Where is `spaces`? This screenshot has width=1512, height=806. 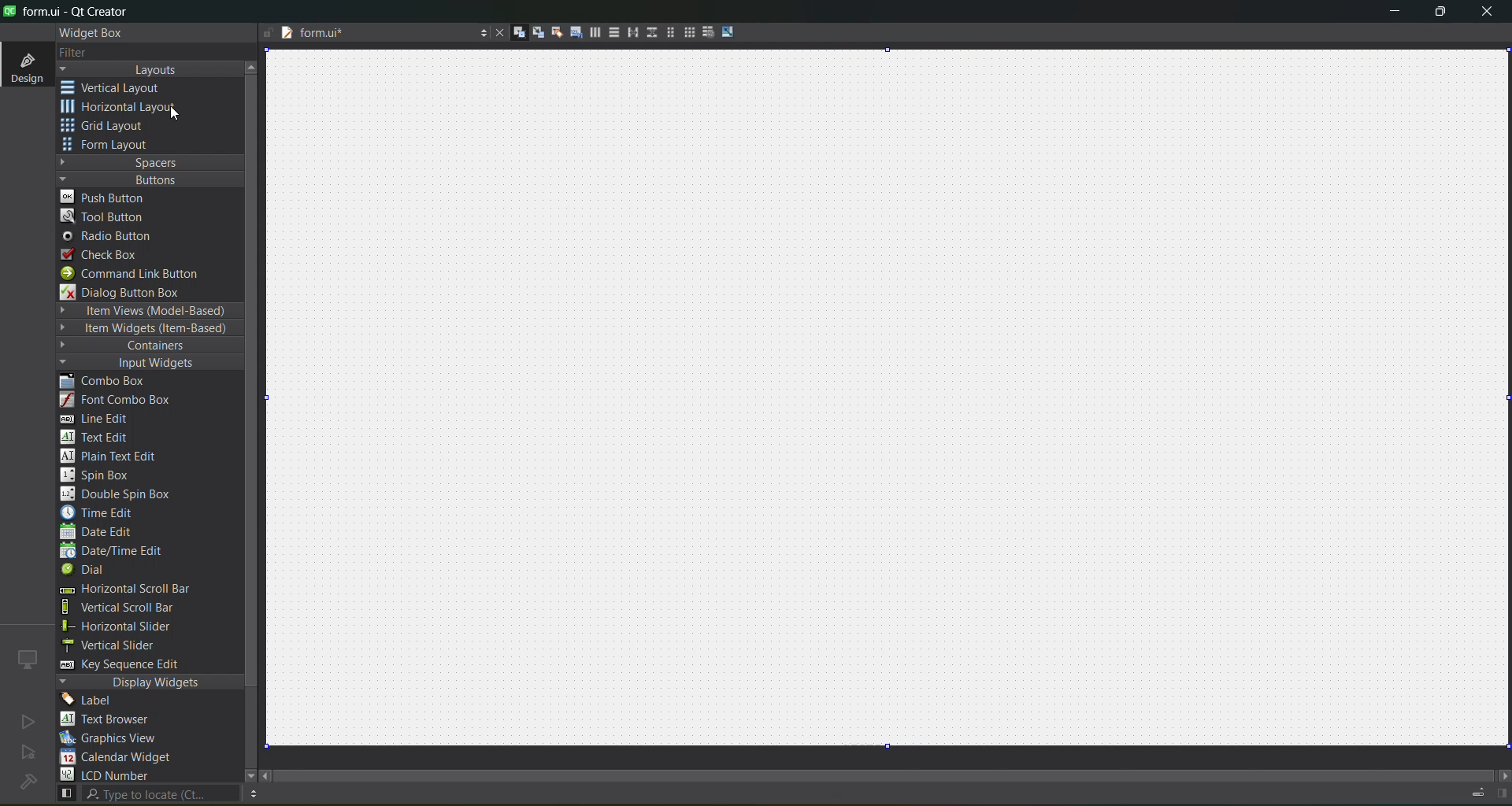
spaces is located at coordinates (150, 162).